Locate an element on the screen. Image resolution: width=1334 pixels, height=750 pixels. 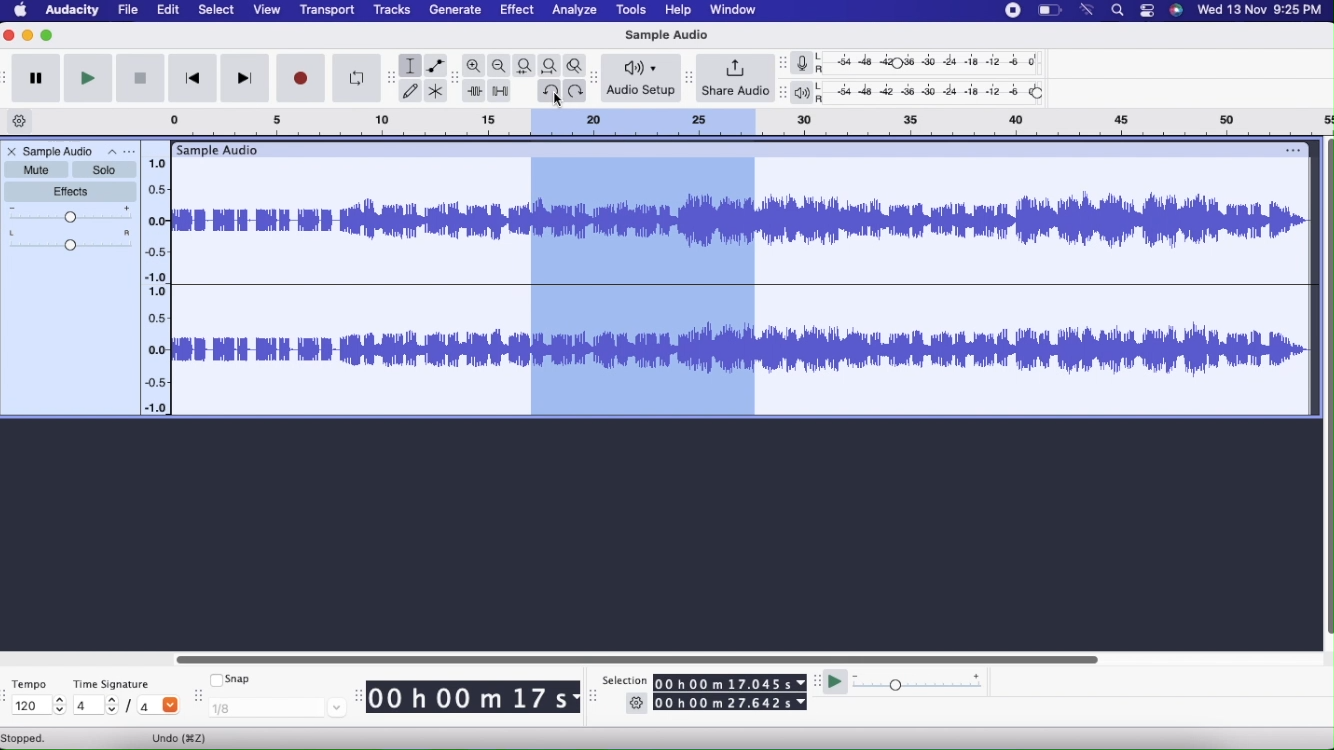
Sample Audio is located at coordinates (71, 151).